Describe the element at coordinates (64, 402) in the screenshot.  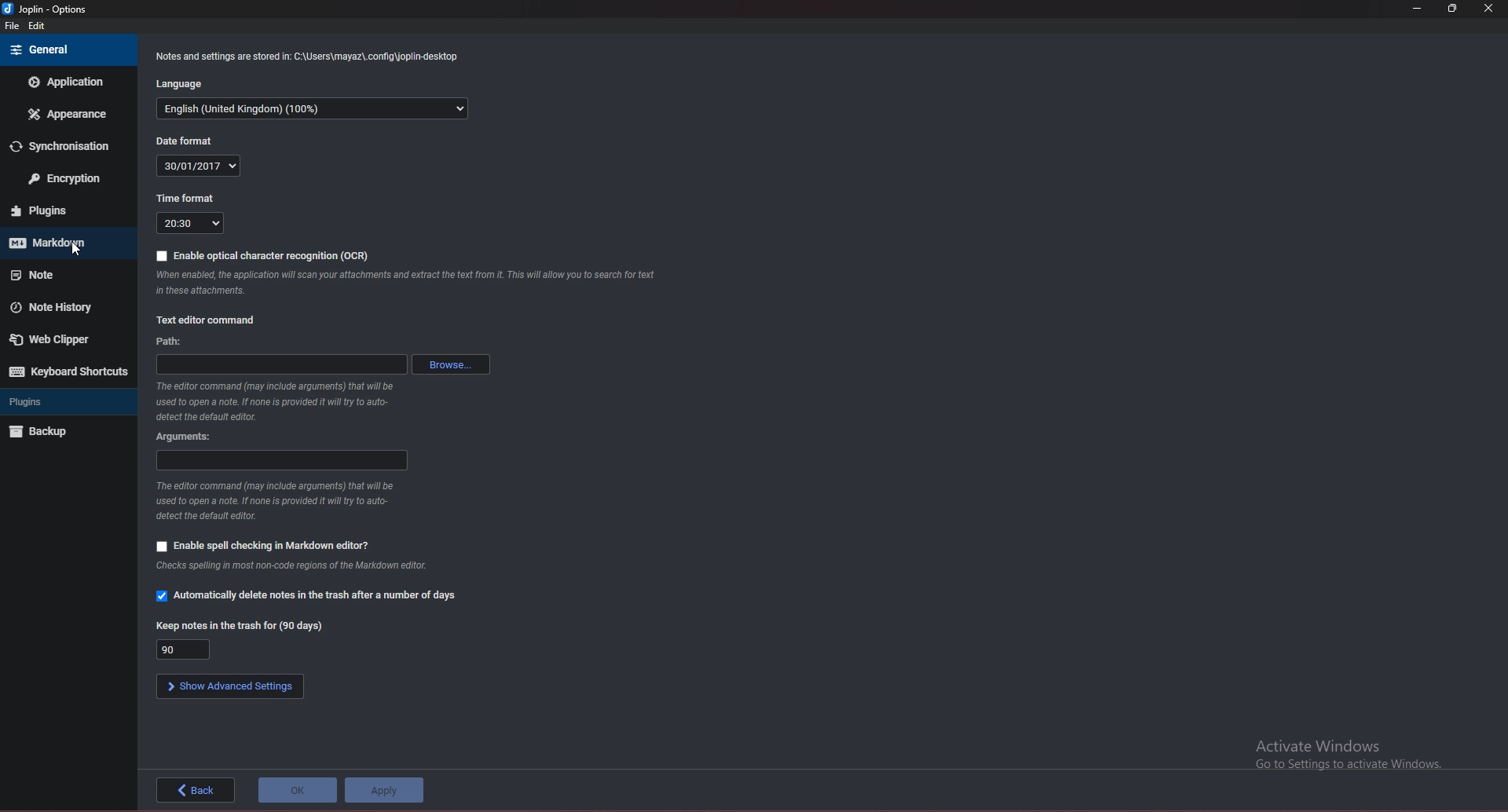
I see `plugins` at that location.